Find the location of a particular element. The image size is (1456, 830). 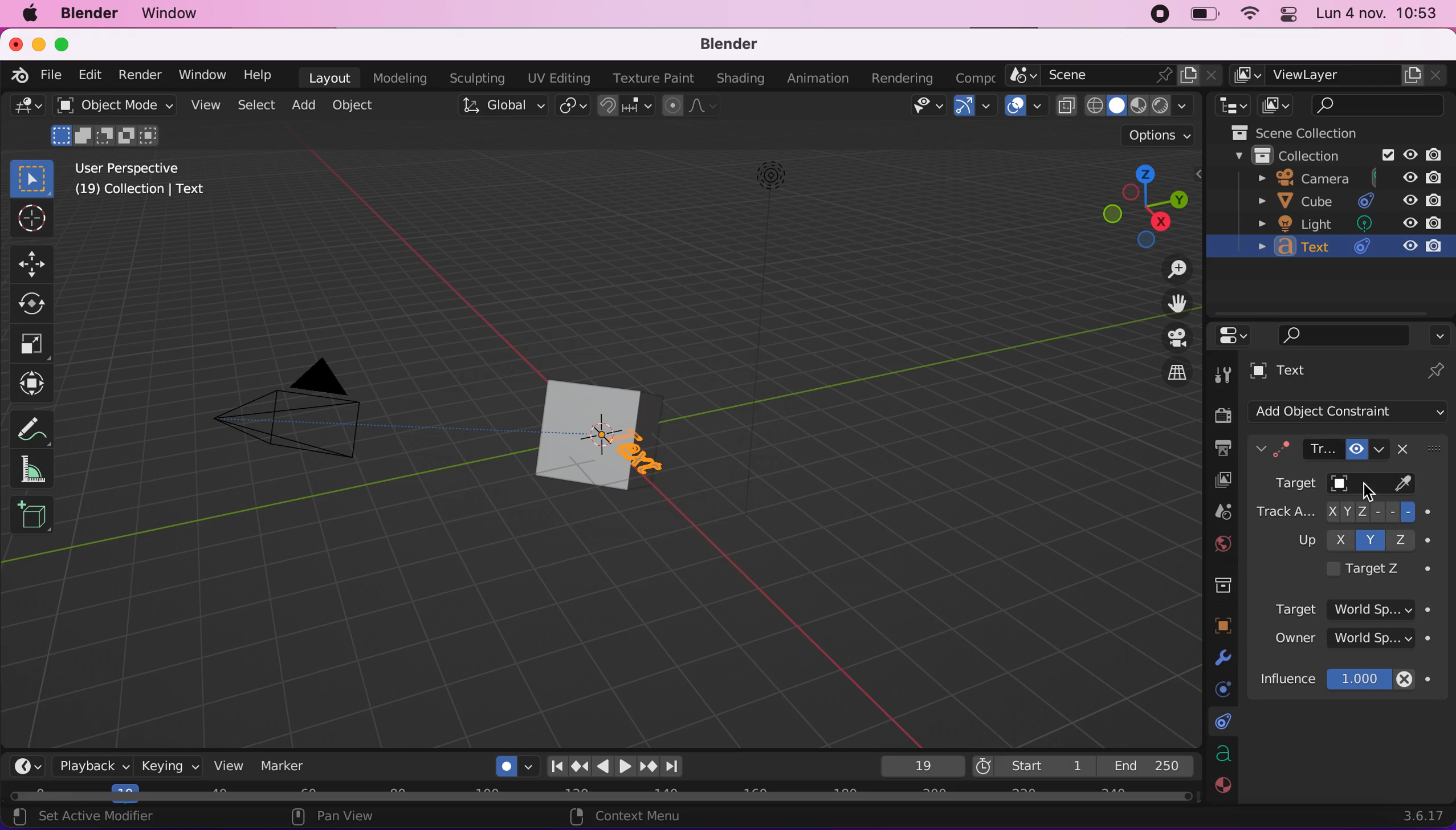

editor type is located at coordinates (1231, 106).